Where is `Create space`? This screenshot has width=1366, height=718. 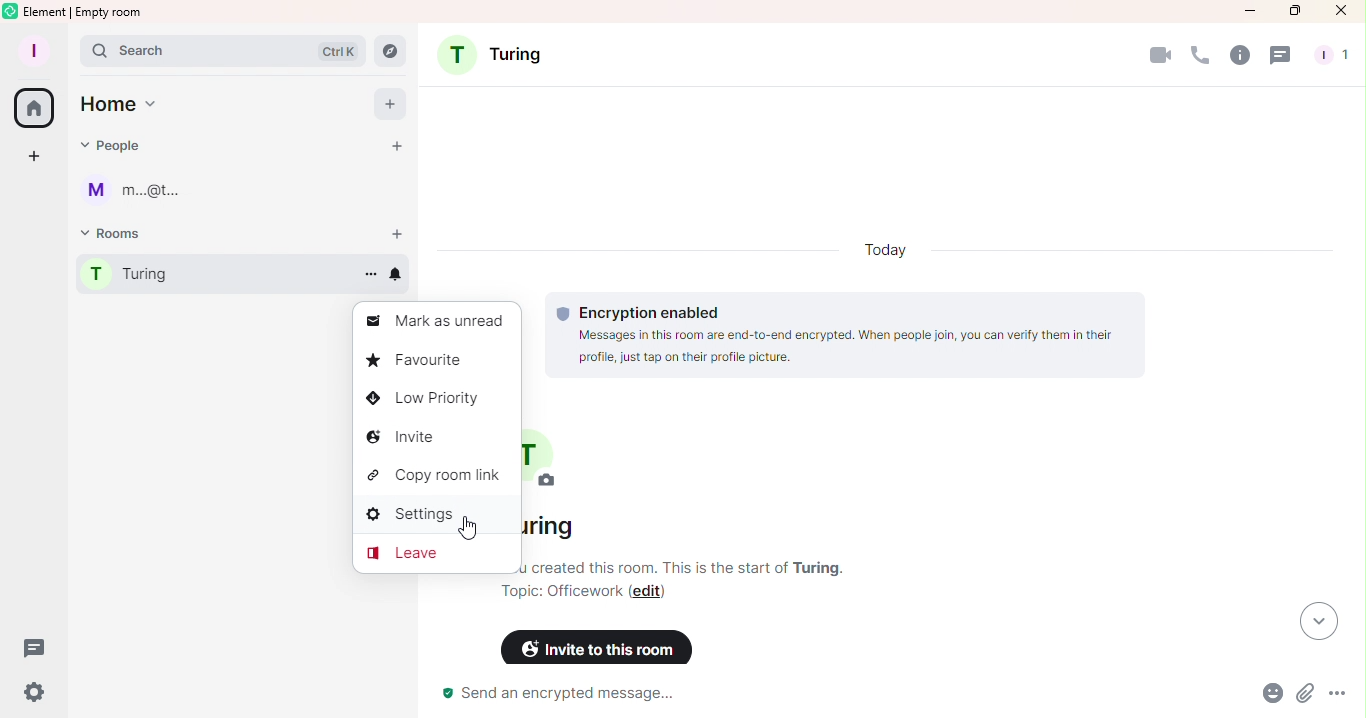
Create space is located at coordinates (35, 157).